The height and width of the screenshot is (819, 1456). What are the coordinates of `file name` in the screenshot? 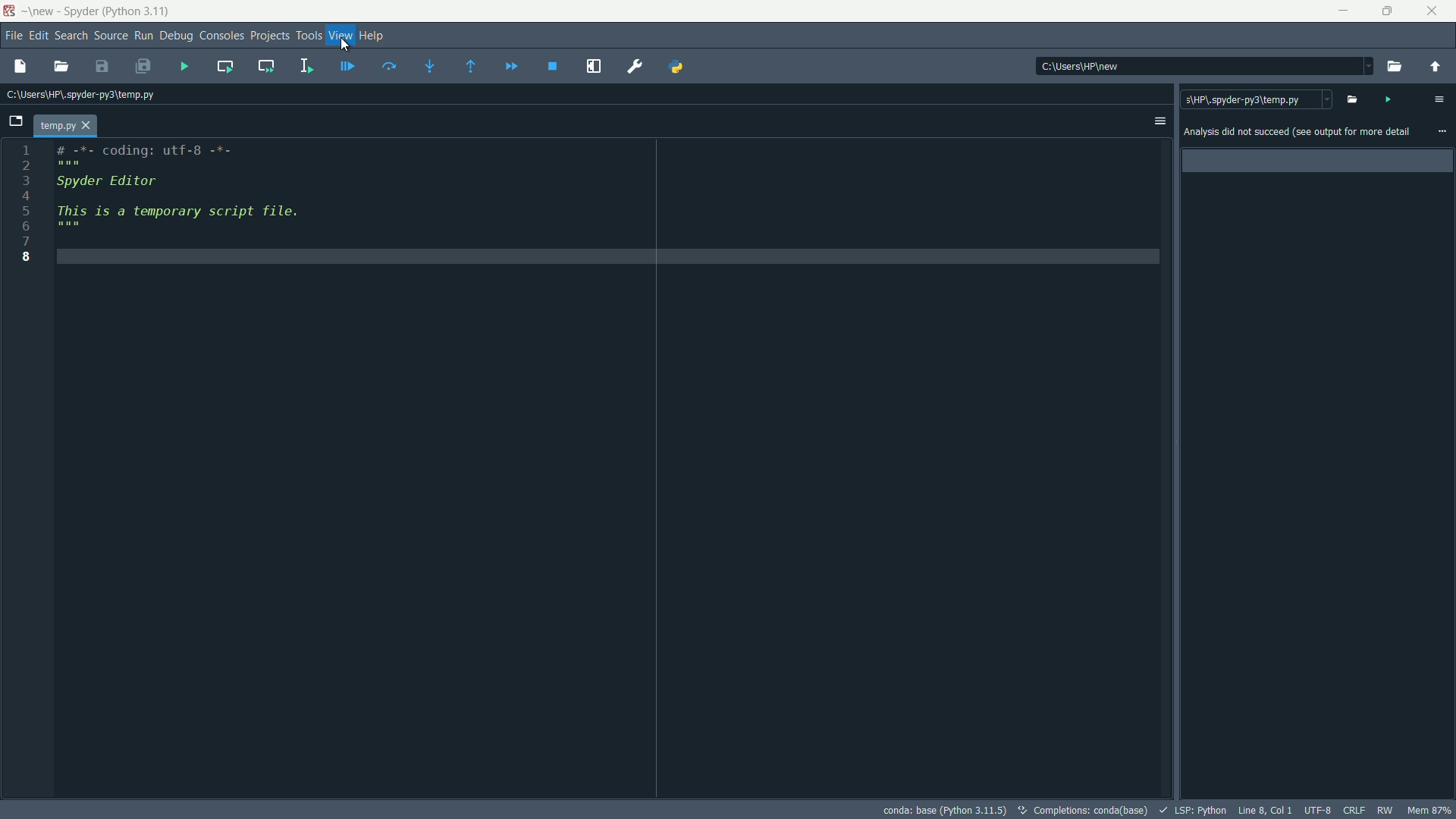 It's located at (66, 124).